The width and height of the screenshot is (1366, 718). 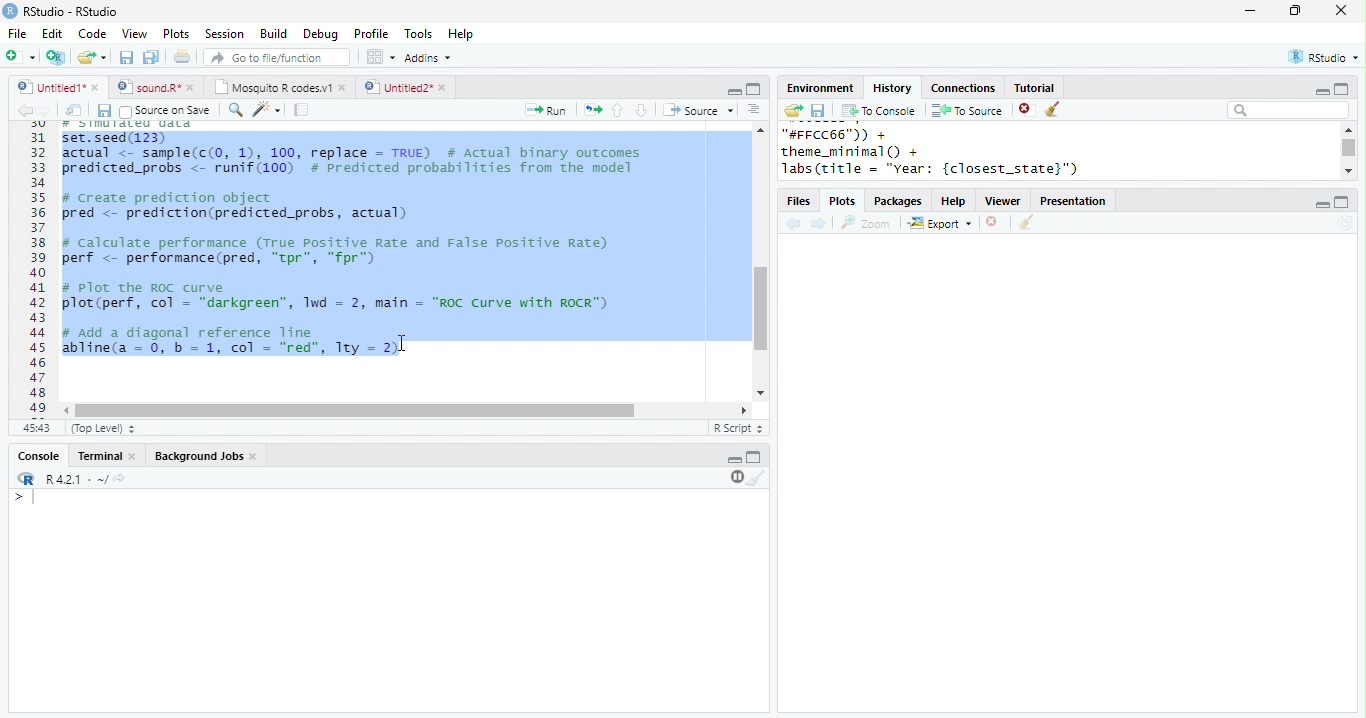 I want to click on close, so click(x=194, y=87).